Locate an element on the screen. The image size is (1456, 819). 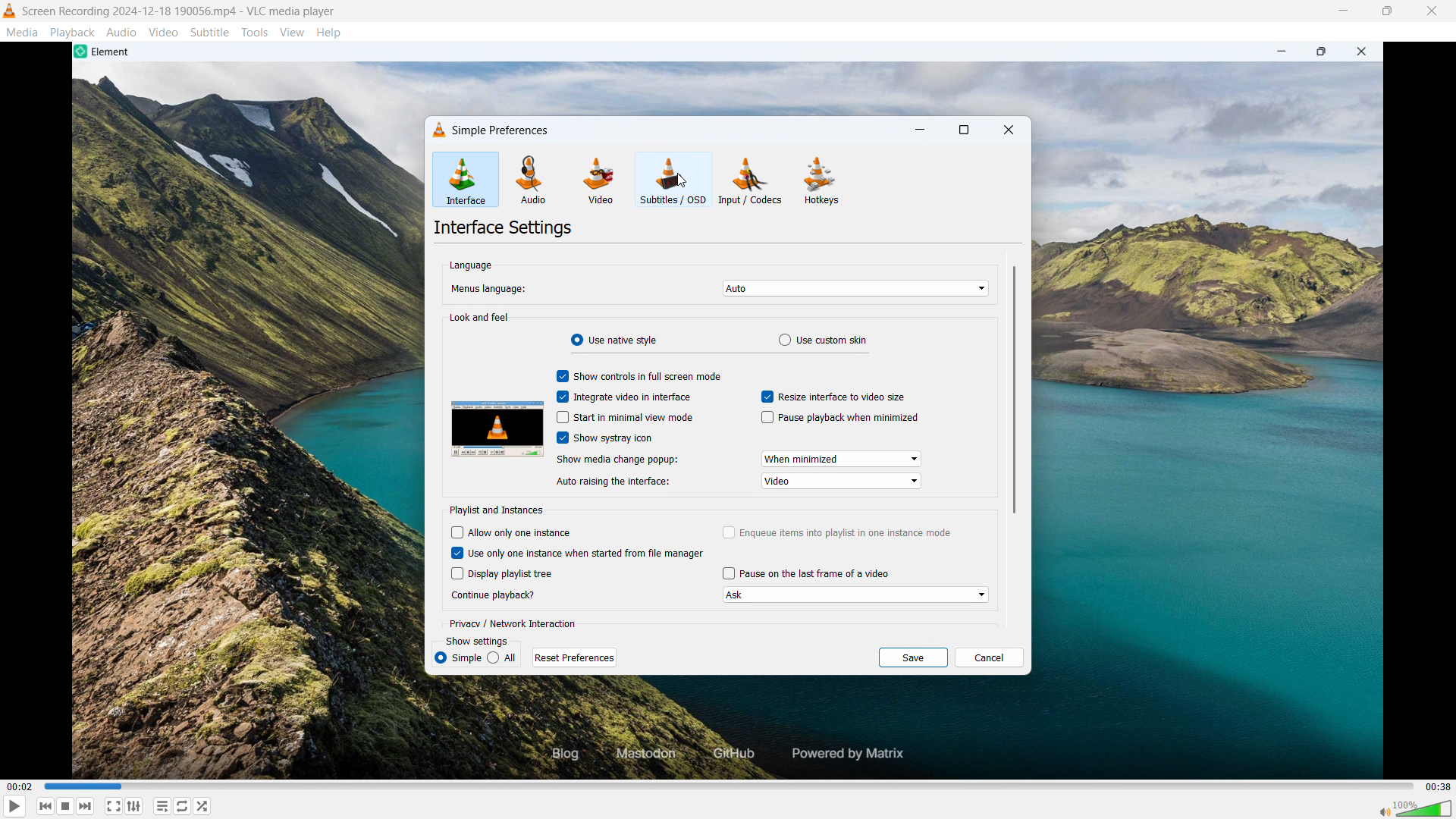
subtitles/OSD is located at coordinates (673, 180).